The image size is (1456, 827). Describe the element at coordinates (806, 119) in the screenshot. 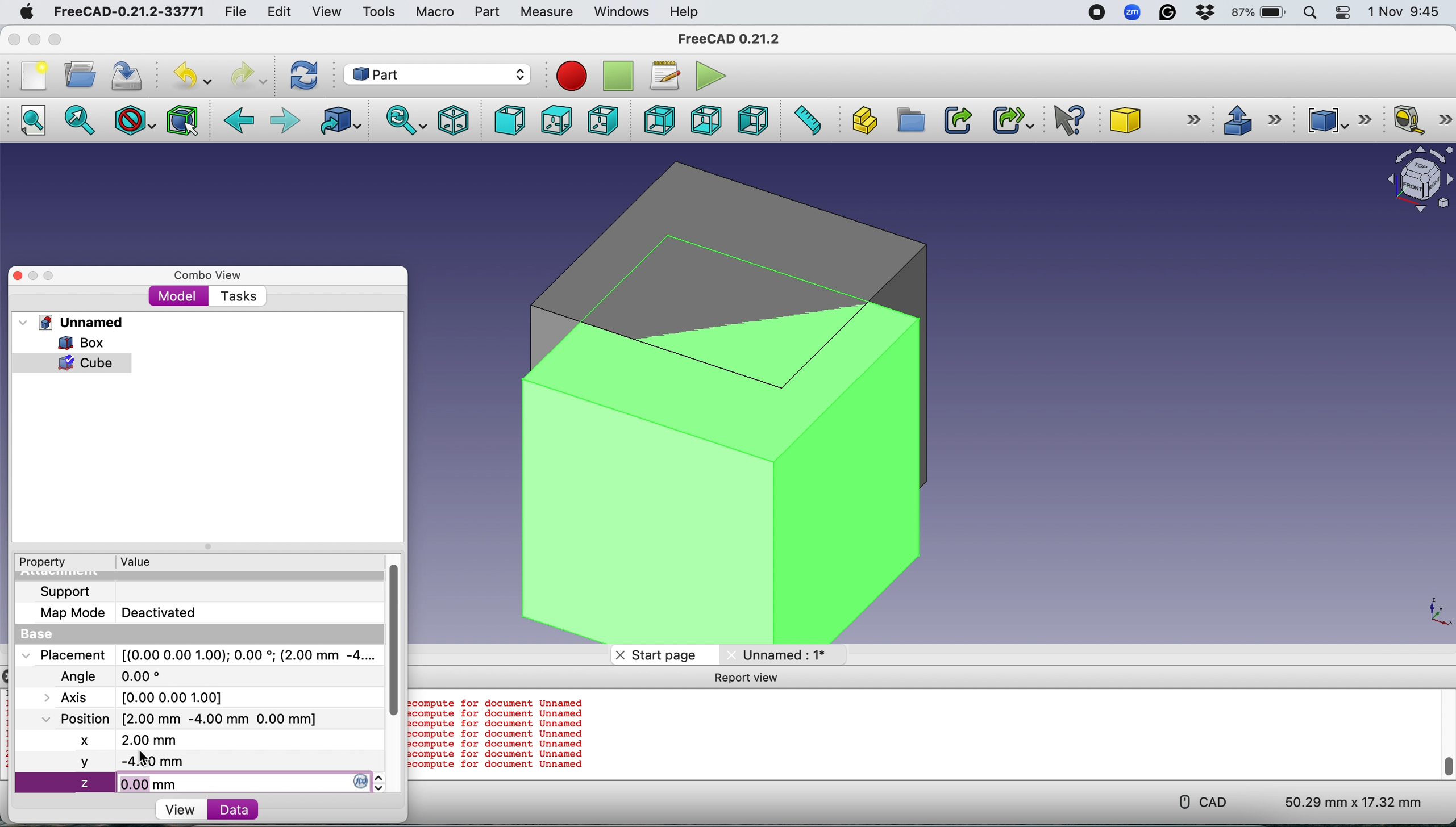

I see `Measure distance` at that location.